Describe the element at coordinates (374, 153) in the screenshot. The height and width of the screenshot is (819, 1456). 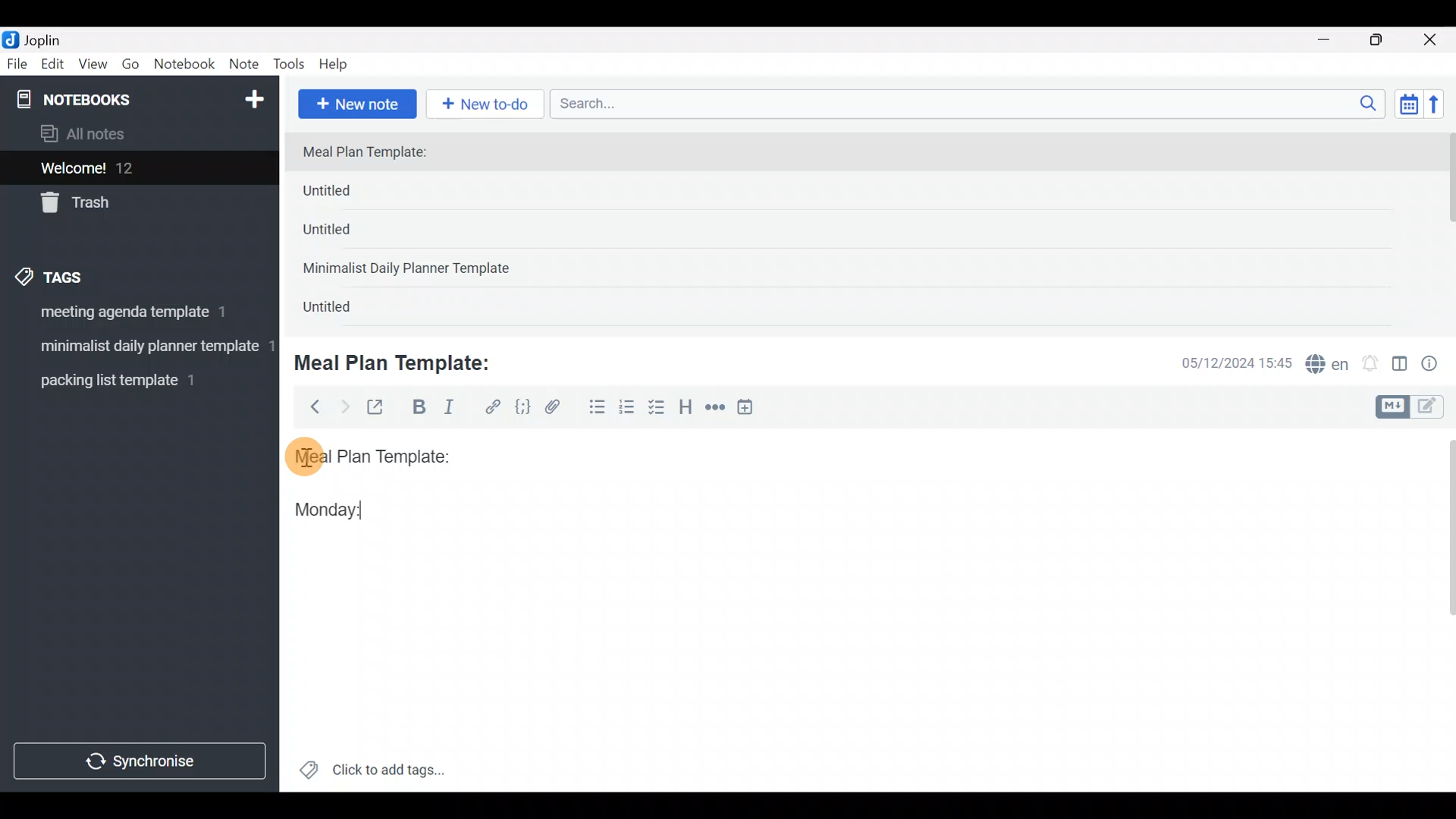
I see `Meal Plan Template:` at that location.